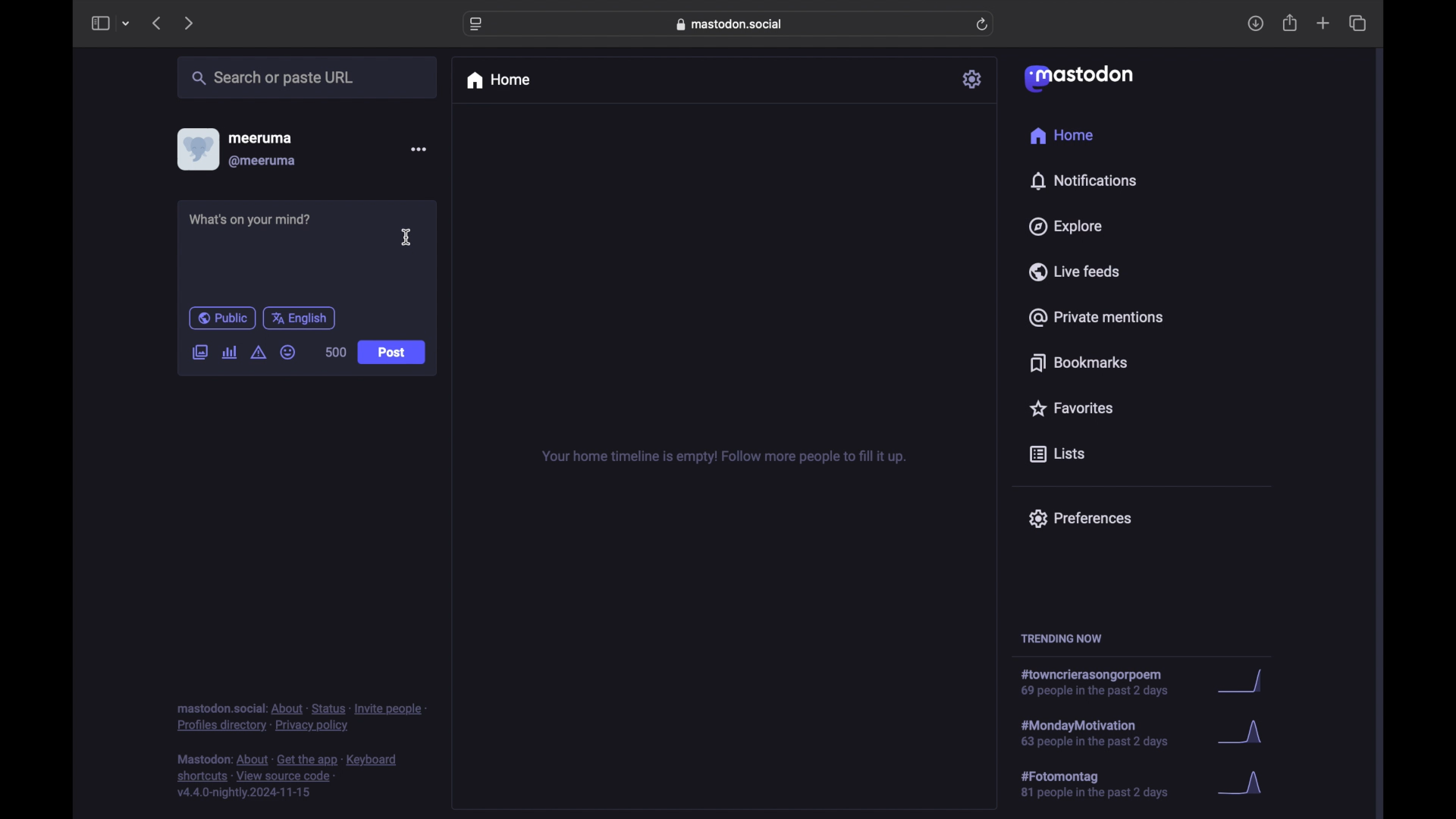 The image size is (1456, 819). I want to click on lists, so click(1057, 455).